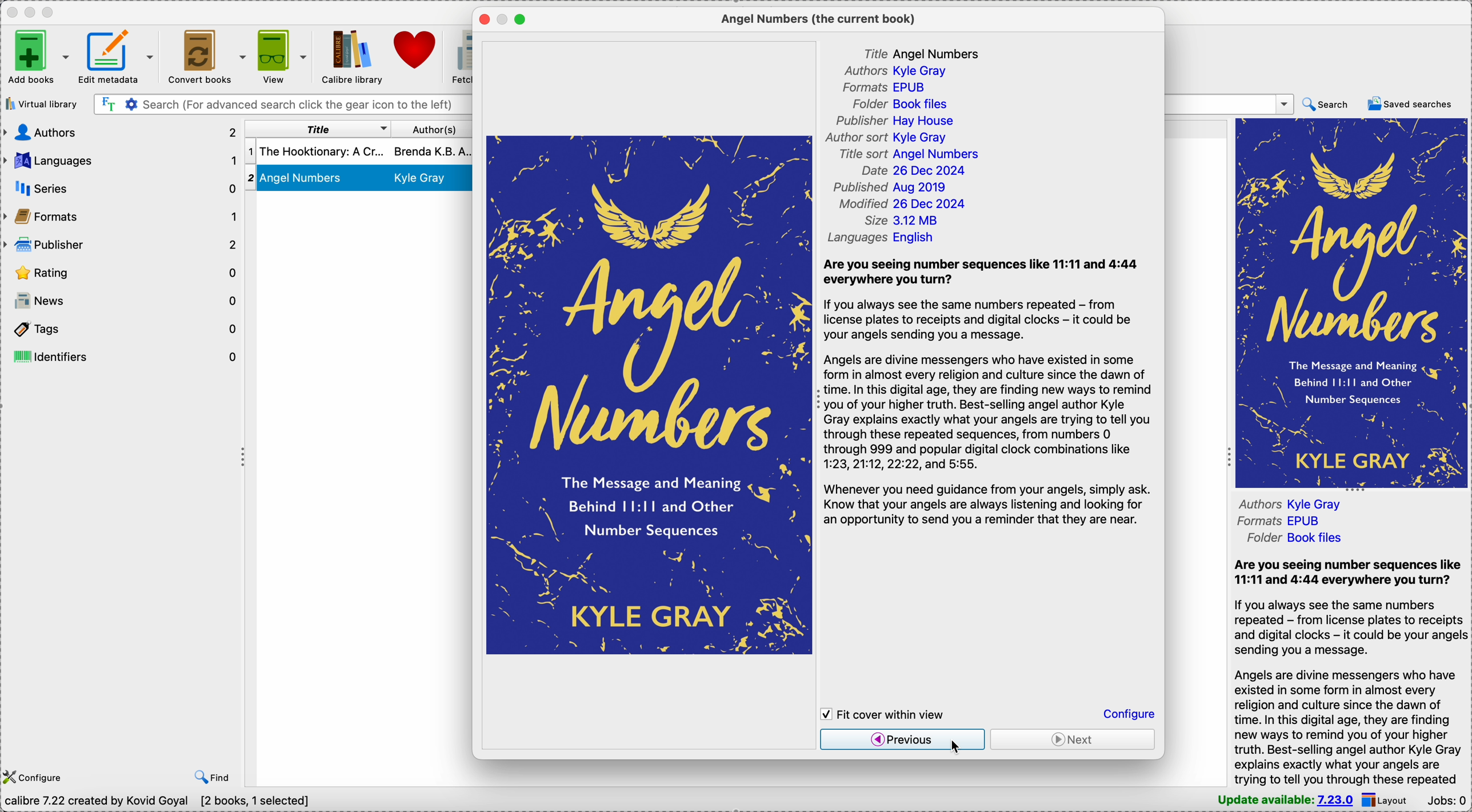 This screenshot has width=1472, height=812. I want to click on folder, so click(1292, 538).